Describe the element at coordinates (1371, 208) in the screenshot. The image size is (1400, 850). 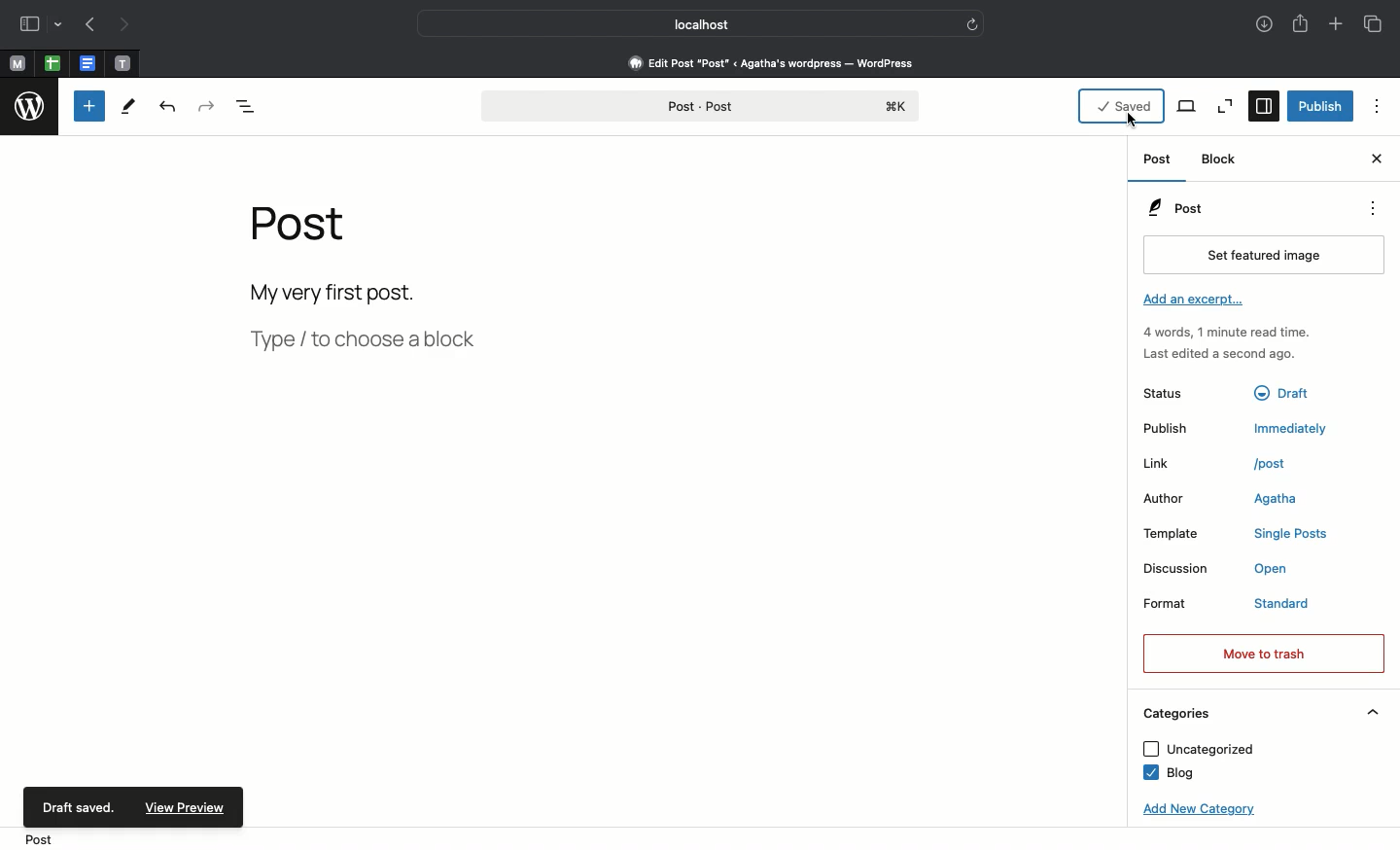
I see `Options` at that location.